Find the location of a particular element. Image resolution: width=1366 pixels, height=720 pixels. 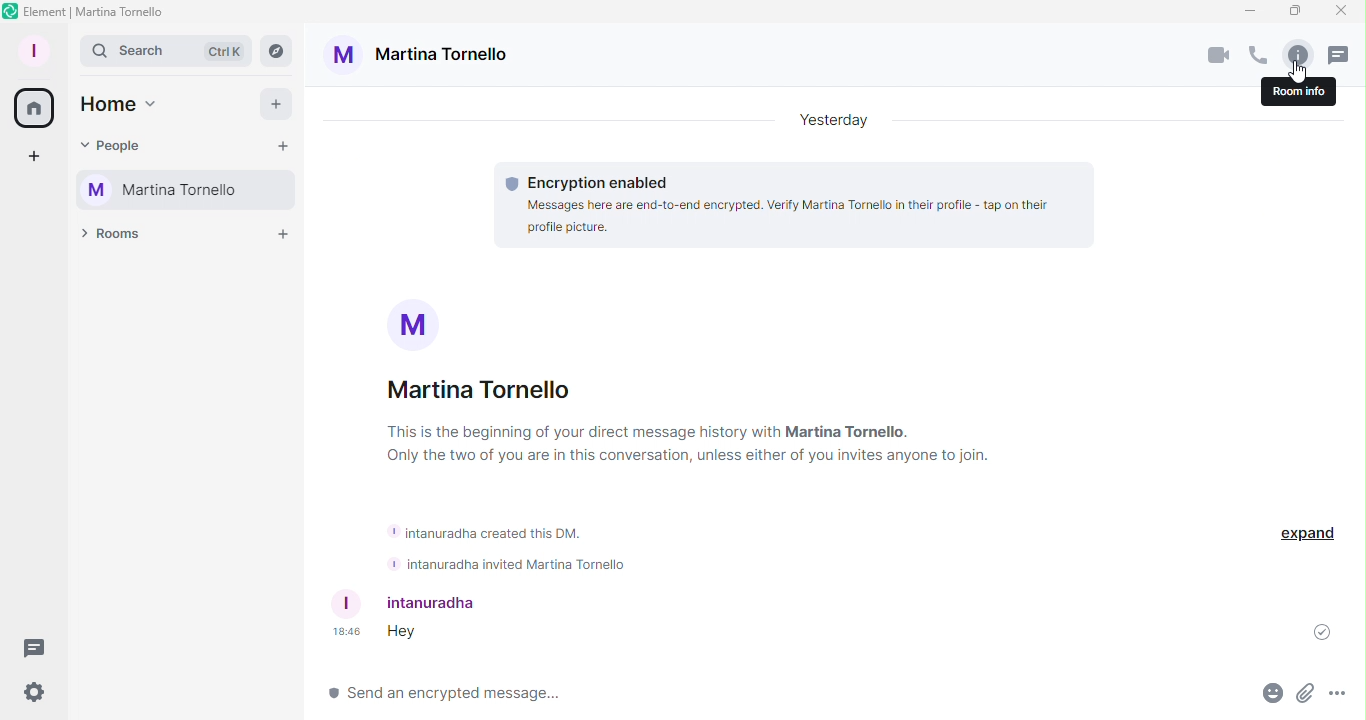

Create a space is located at coordinates (31, 159).